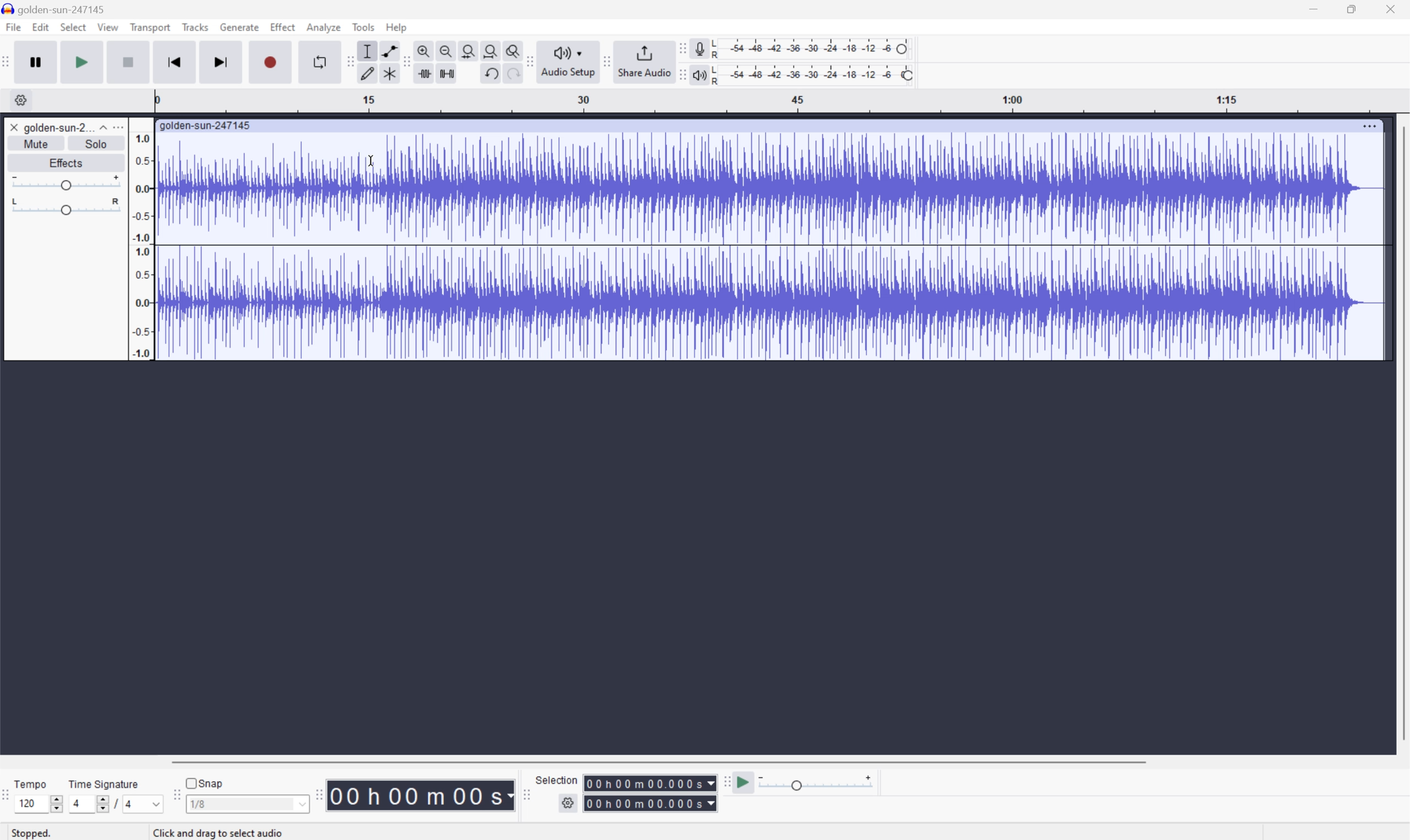 This screenshot has width=1410, height=840. I want to click on Audacity transport layer toolbar, so click(6, 62).